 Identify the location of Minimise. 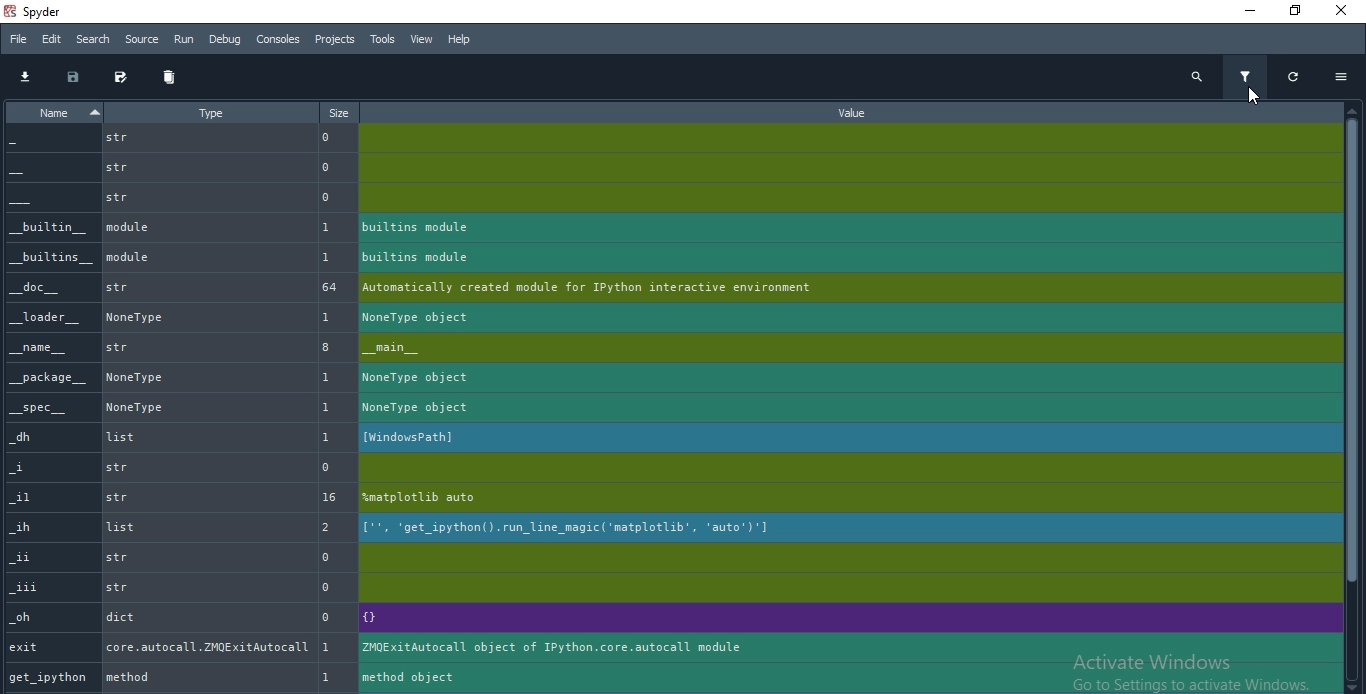
(1250, 12).